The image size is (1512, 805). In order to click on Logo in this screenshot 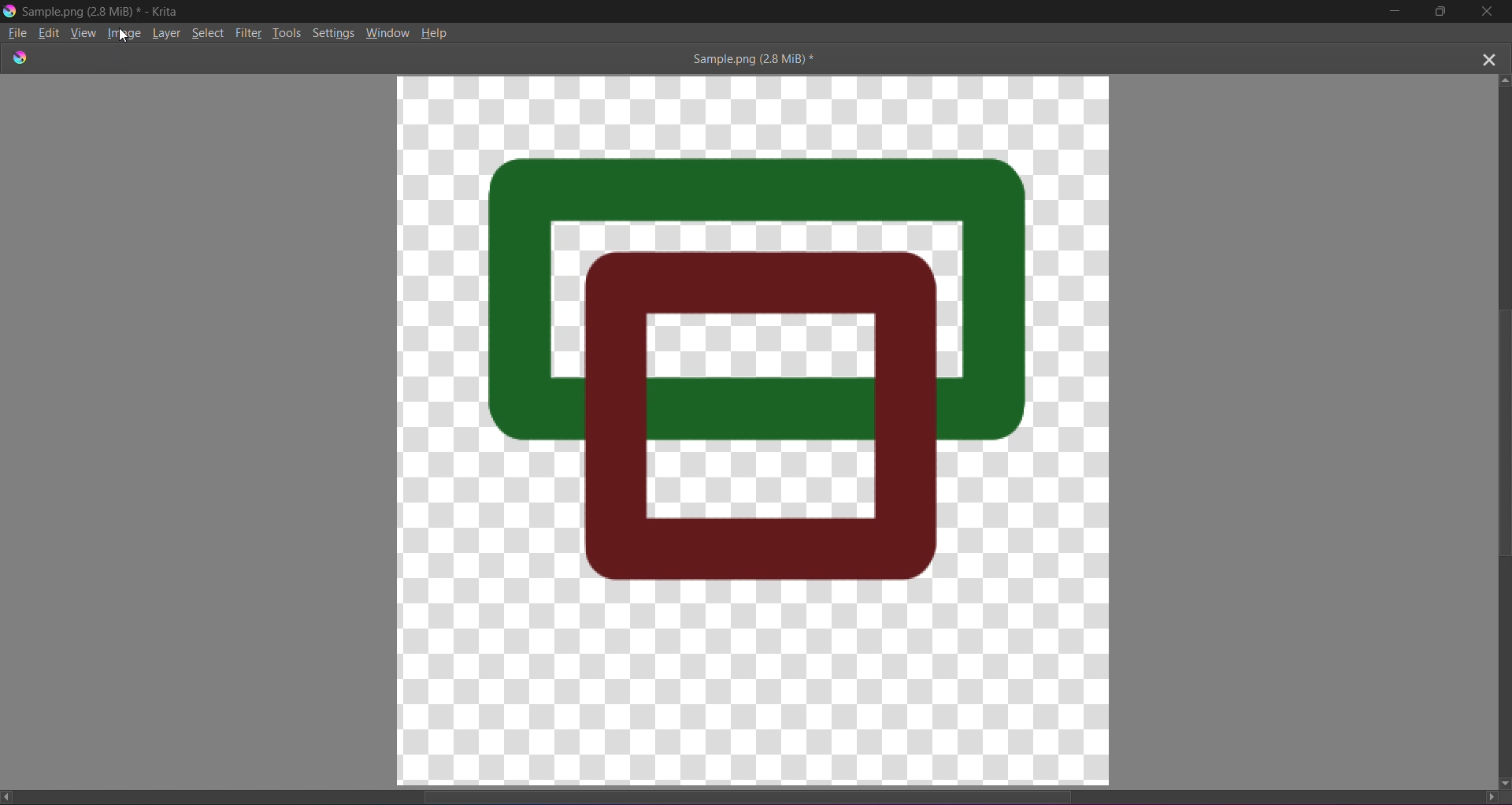, I will do `click(9, 10)`.